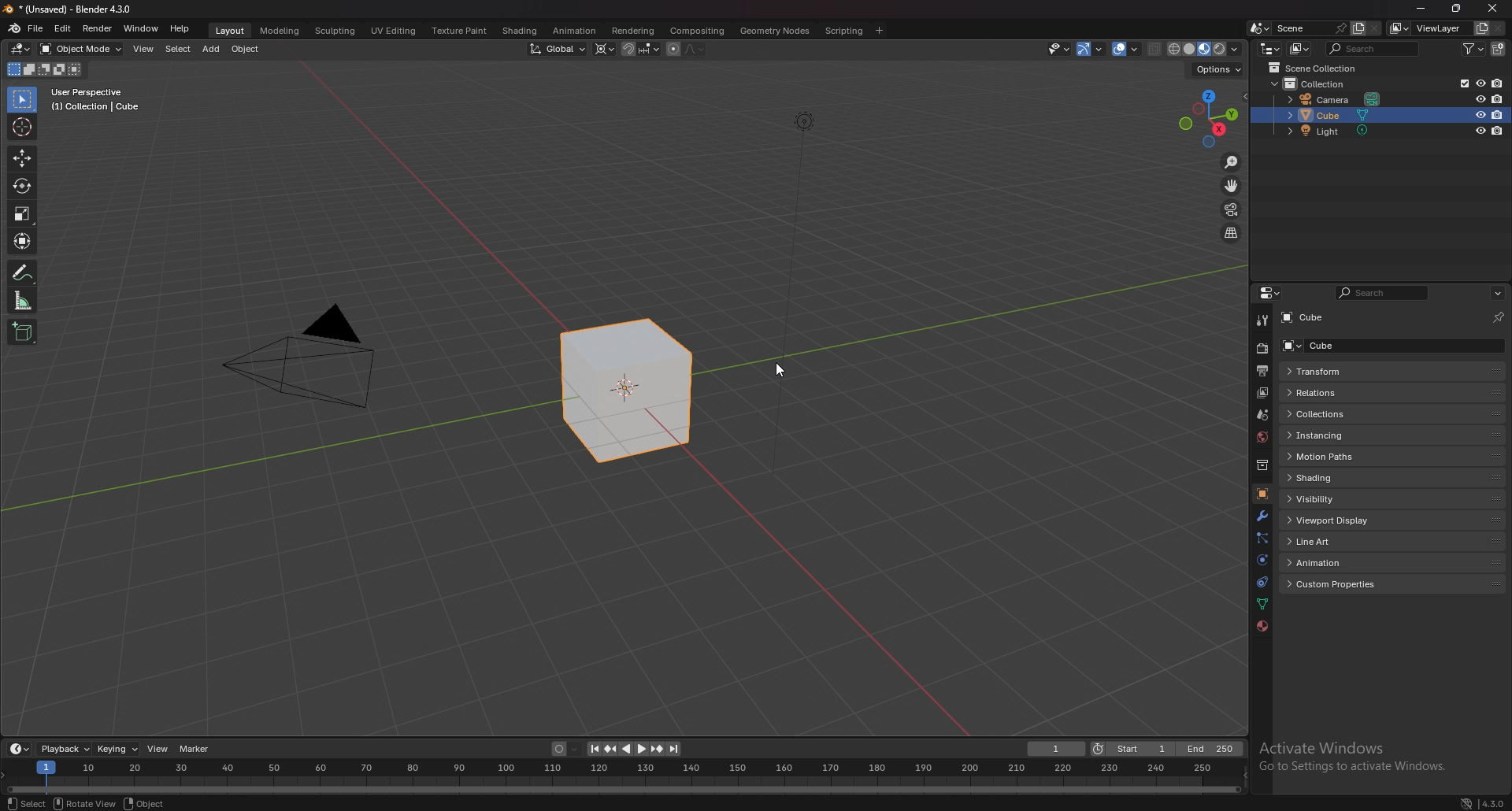 Image resolution: width=1512 pixels, height=811 pixels. What do you see at coordinates (65, 749) in the screenshot?
I see `playback` at bounding box center [65, 749].